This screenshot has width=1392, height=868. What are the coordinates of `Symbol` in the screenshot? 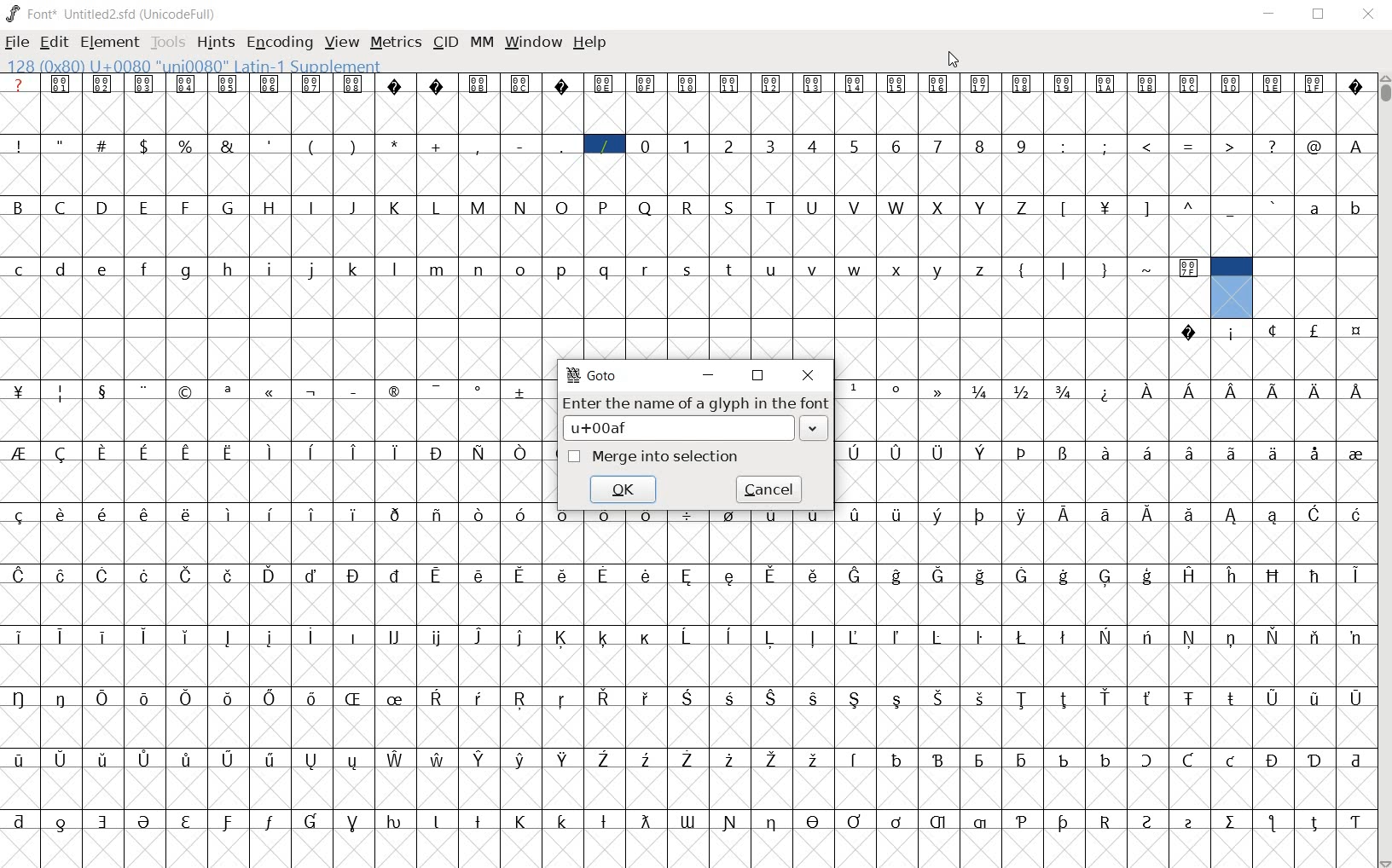 It's located at (1146, 637).